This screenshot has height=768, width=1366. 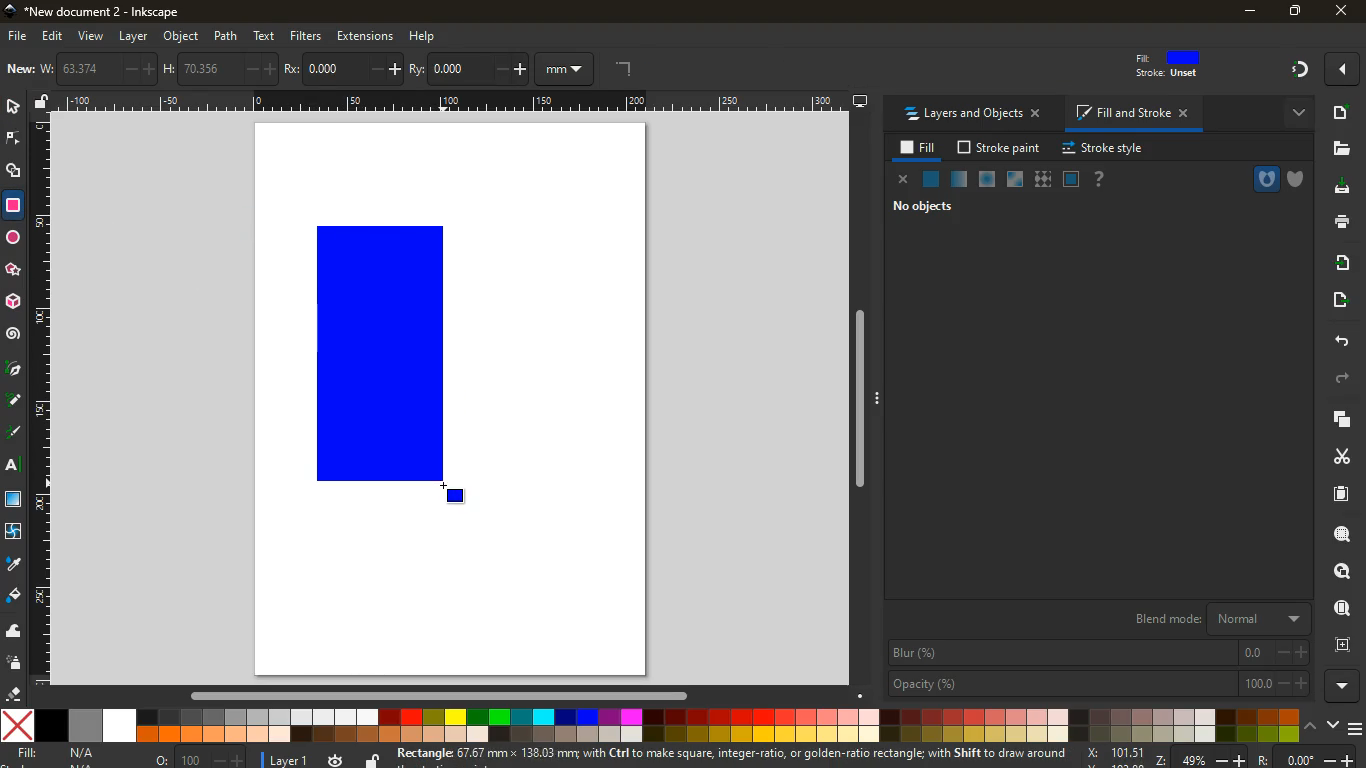 I want to click on fill and stroke, so click(x=1131, y=113).